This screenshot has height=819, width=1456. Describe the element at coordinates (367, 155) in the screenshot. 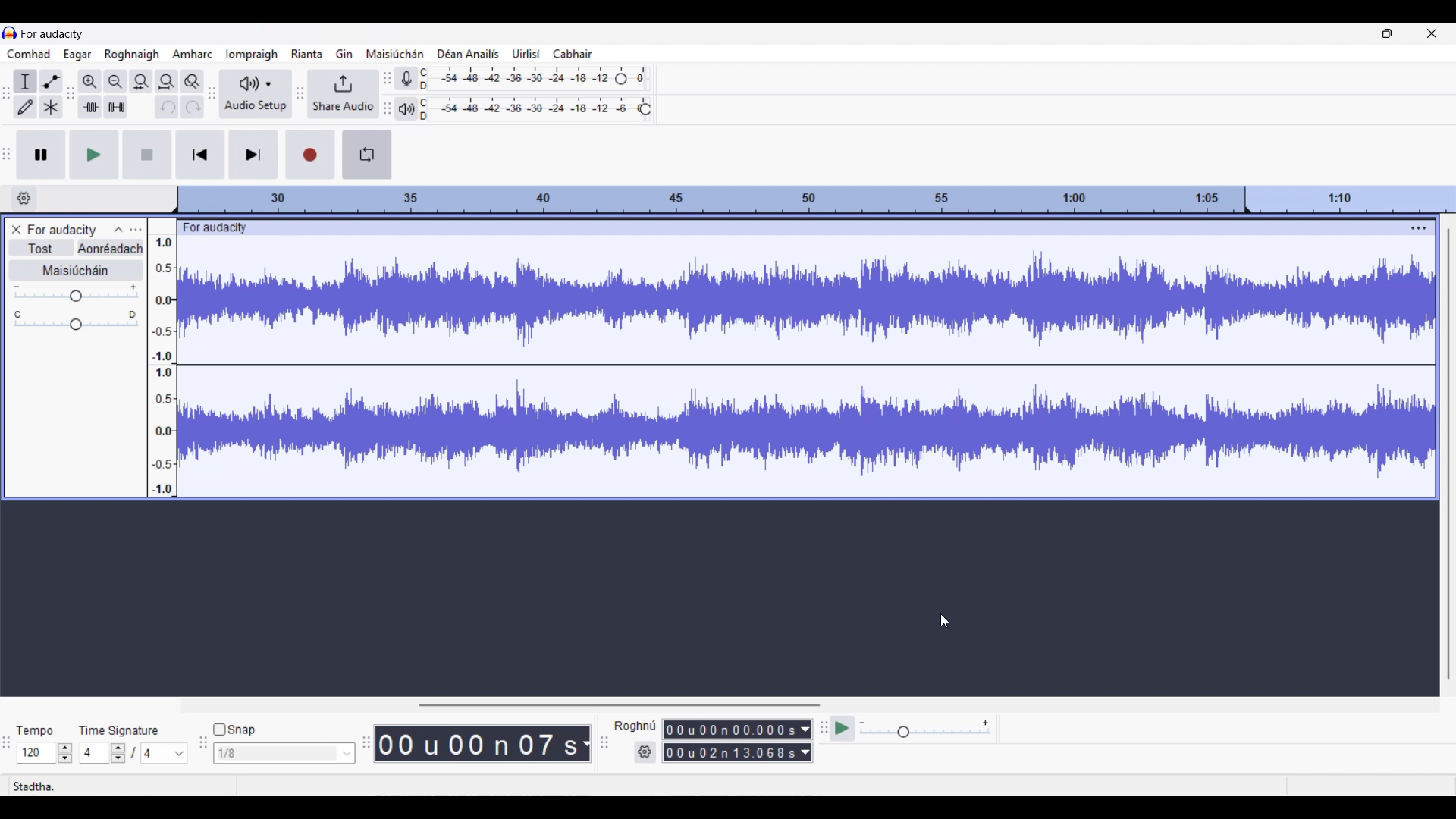

I see `Enable looping` at that location.